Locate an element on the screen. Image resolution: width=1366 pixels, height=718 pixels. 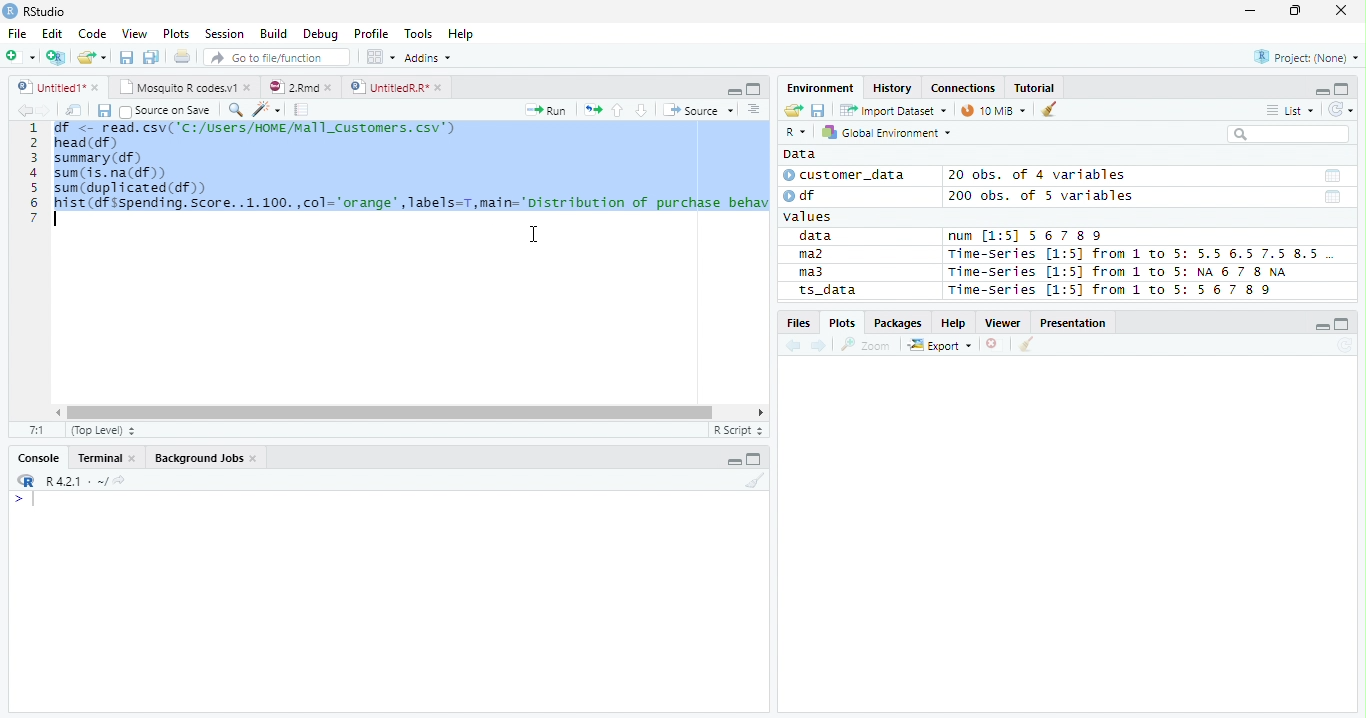
Environment is located at coordinates (822, 88).